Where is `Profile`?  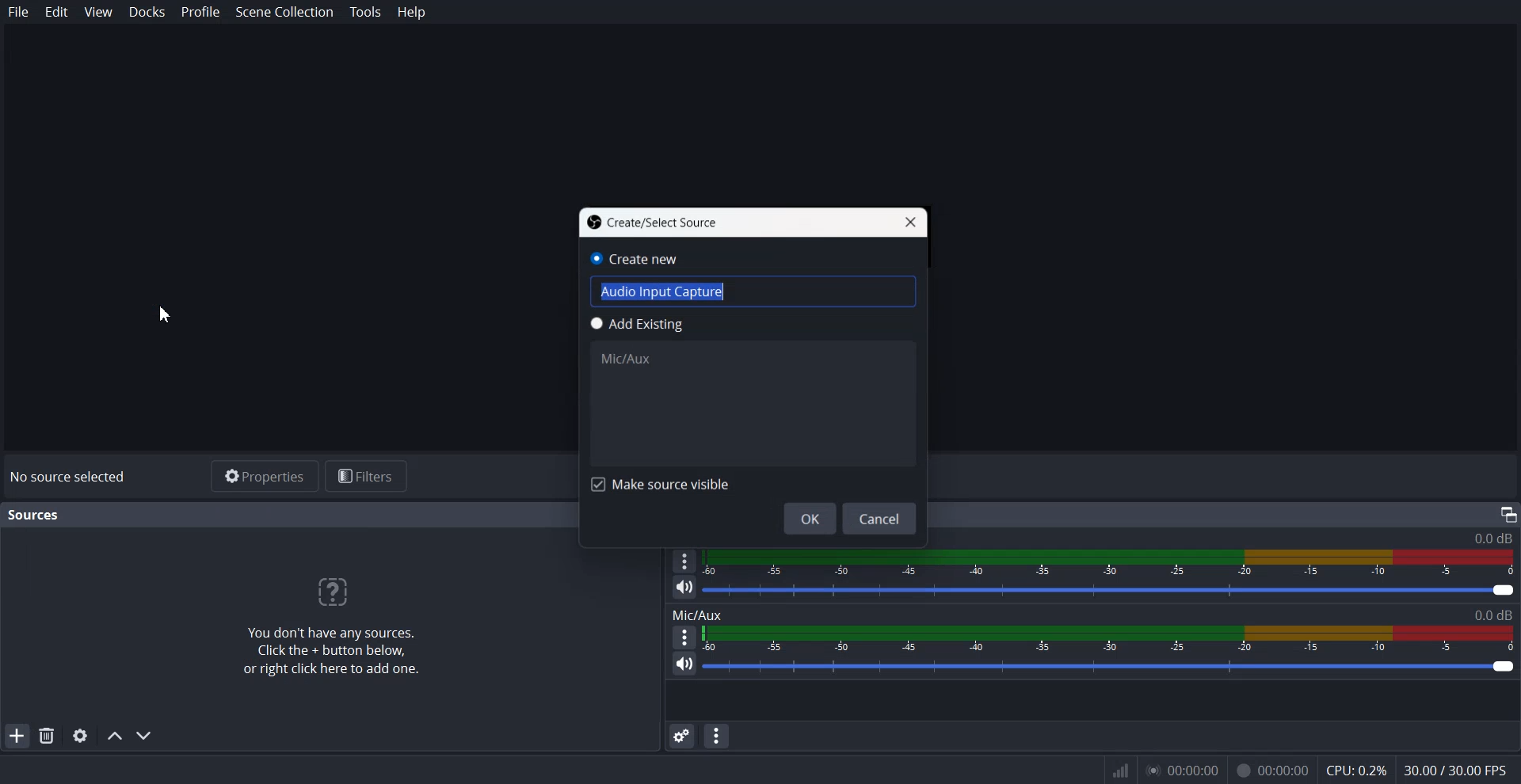
Profile is located at coordinates (200, 12).